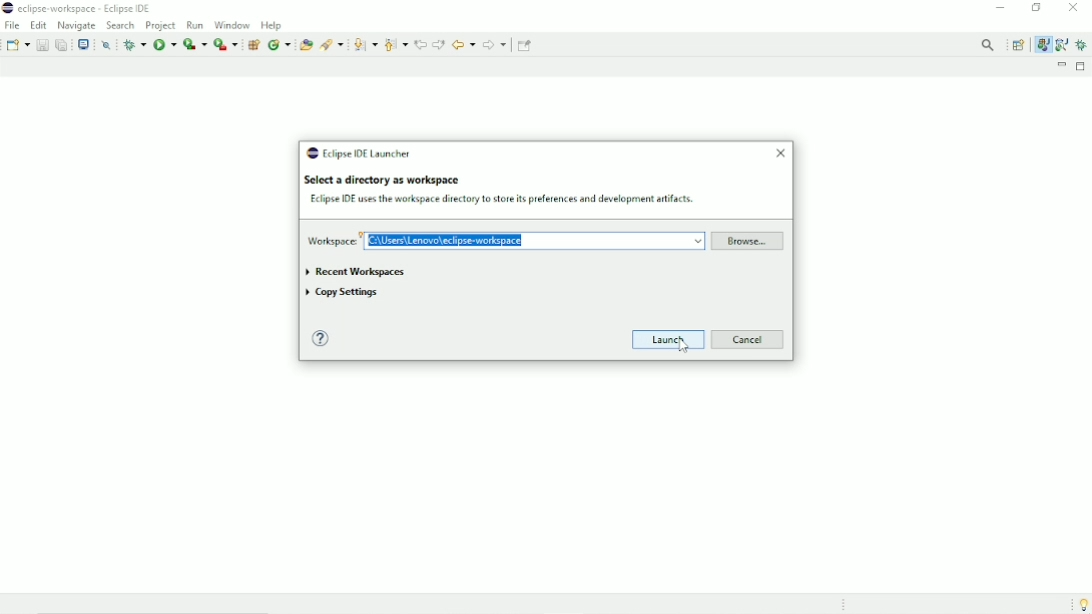  What do you see at coordinates (360, 152) in the screenshot?
I see `Eclipse IDE Launcher` at bounding box center [360, 152].